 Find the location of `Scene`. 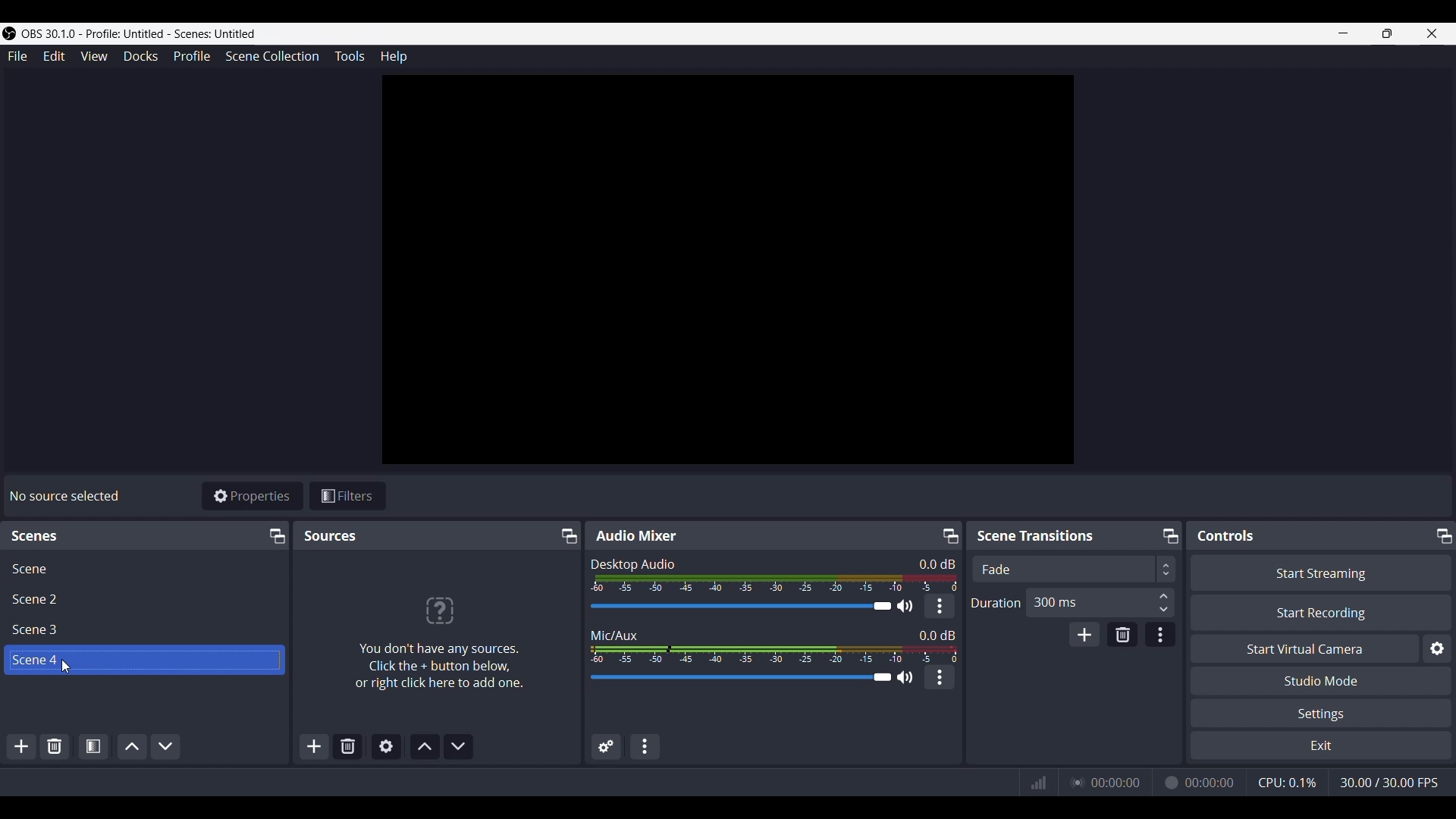

Scene is located at coordinates (30, 569).